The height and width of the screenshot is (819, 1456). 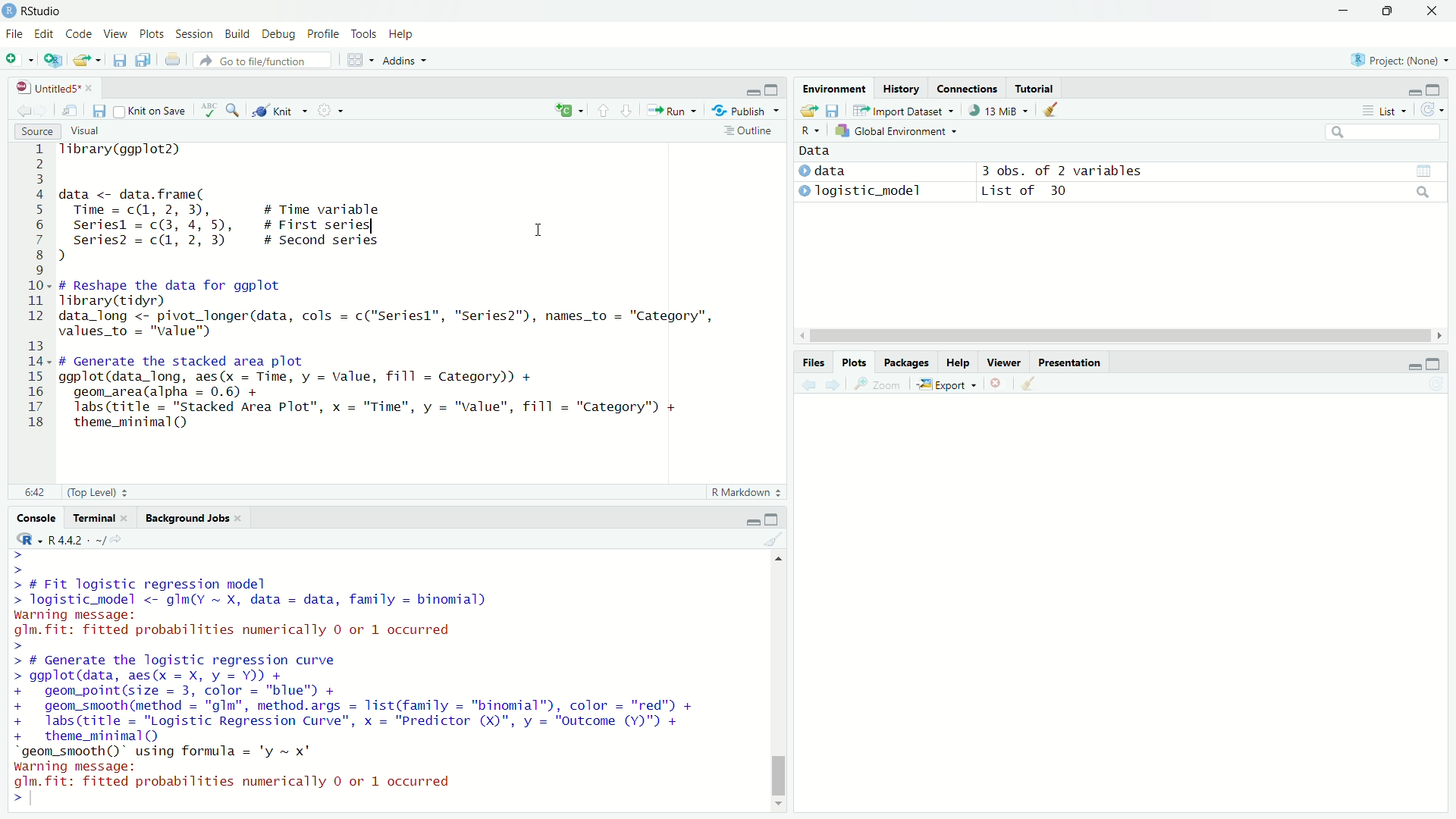 I want to click on minimise, so click(x=1409, y=91).